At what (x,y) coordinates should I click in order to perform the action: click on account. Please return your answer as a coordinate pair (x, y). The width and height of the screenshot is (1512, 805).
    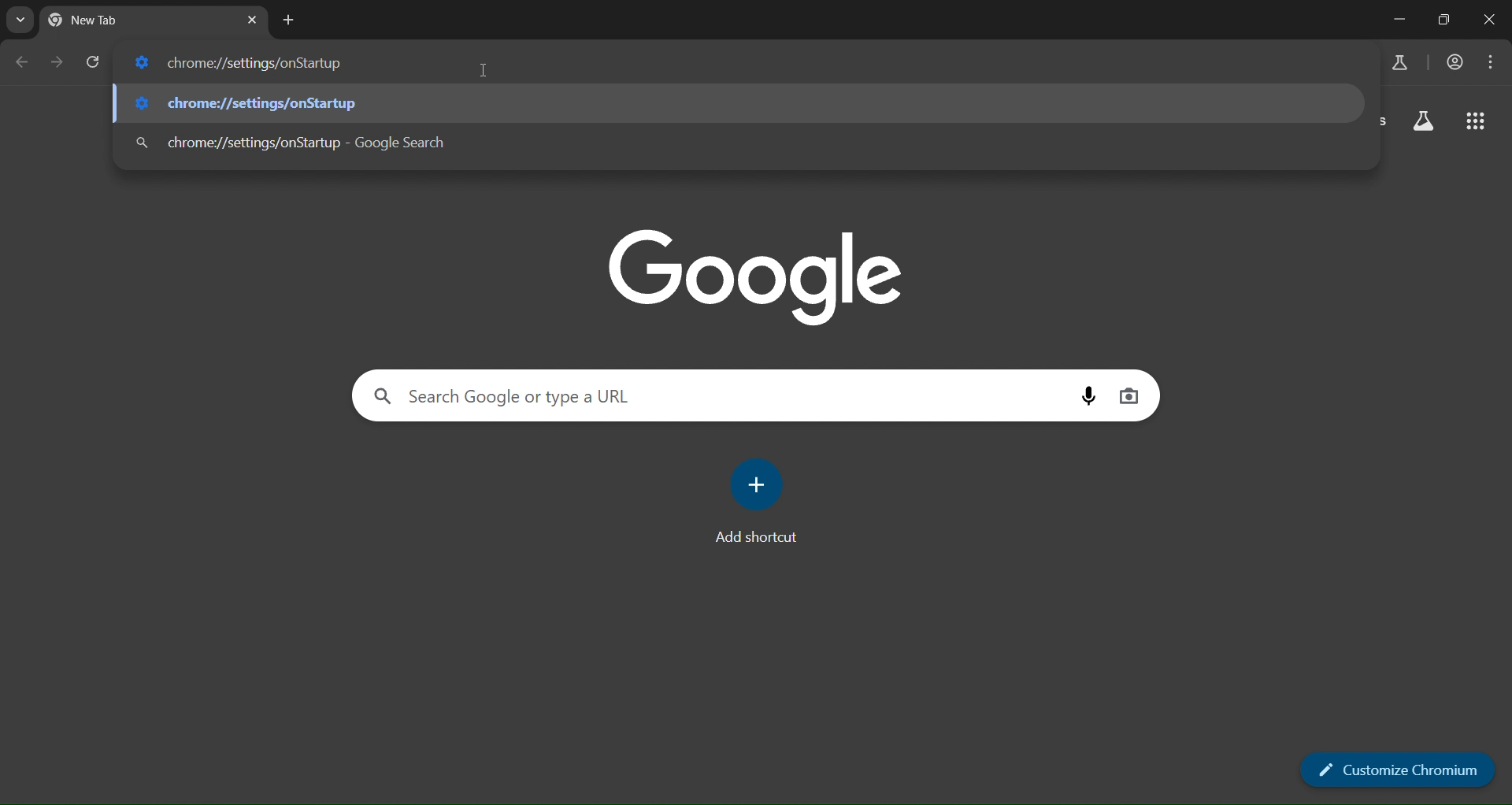
    Looking at the image, I should click on (1454, 61).